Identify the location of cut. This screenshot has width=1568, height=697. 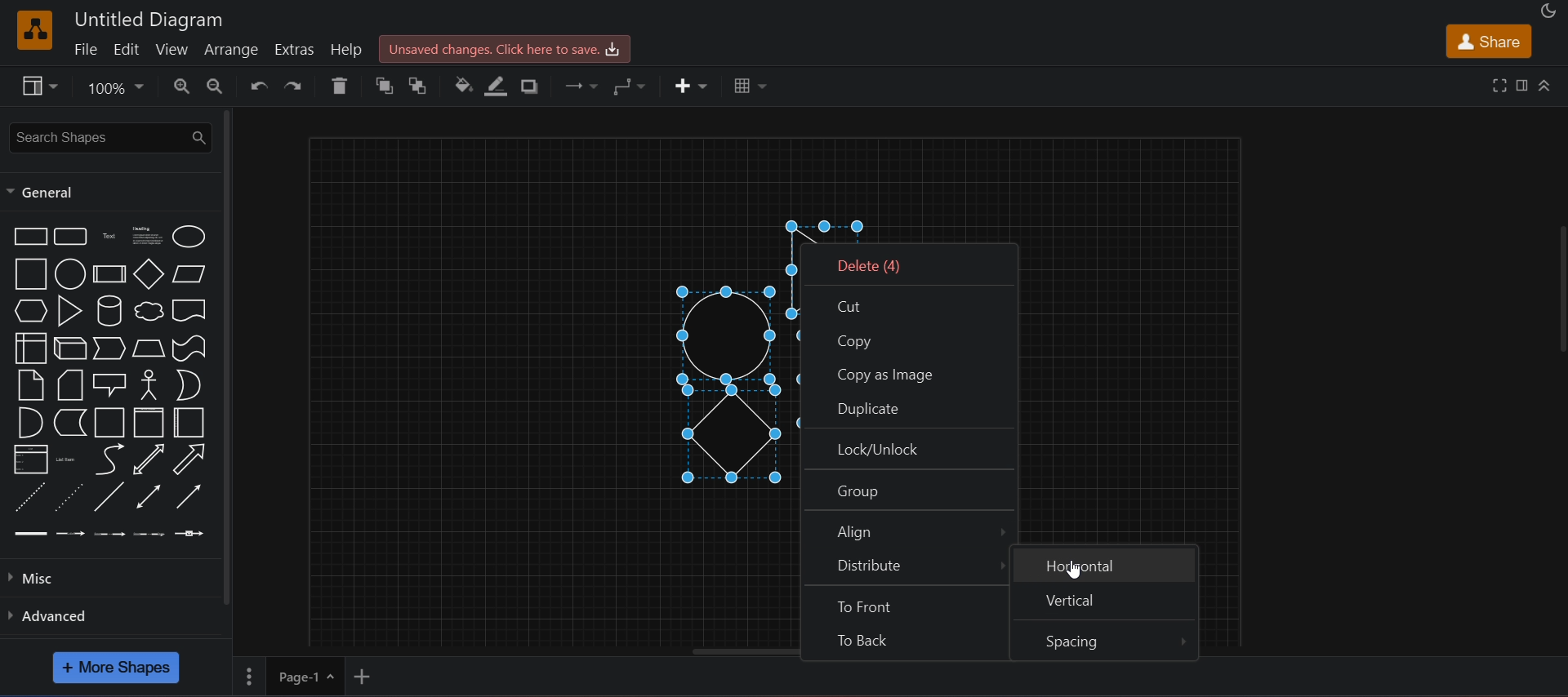
(905, 304).